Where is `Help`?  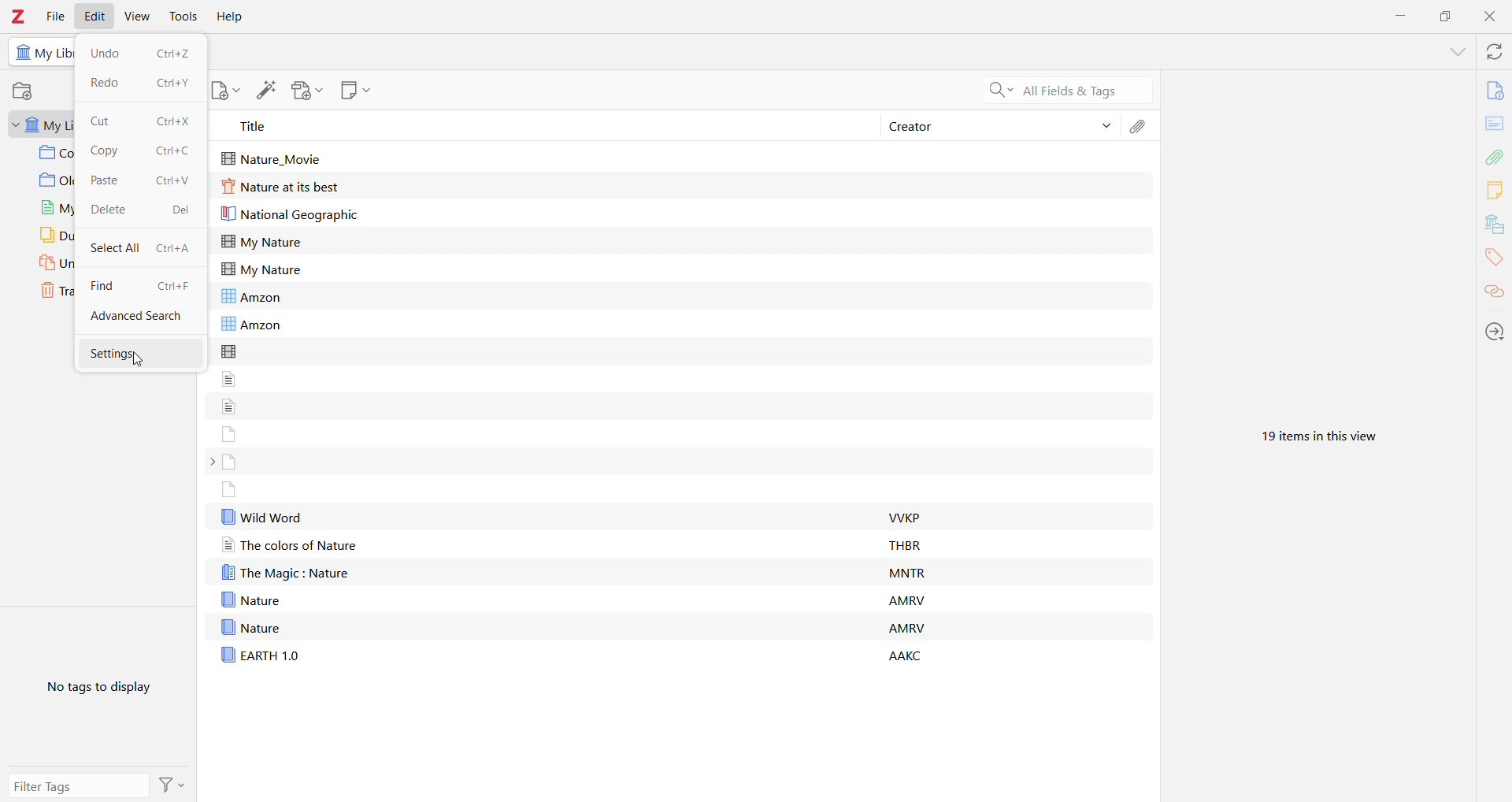
Help is located at coordinates (232, 16).